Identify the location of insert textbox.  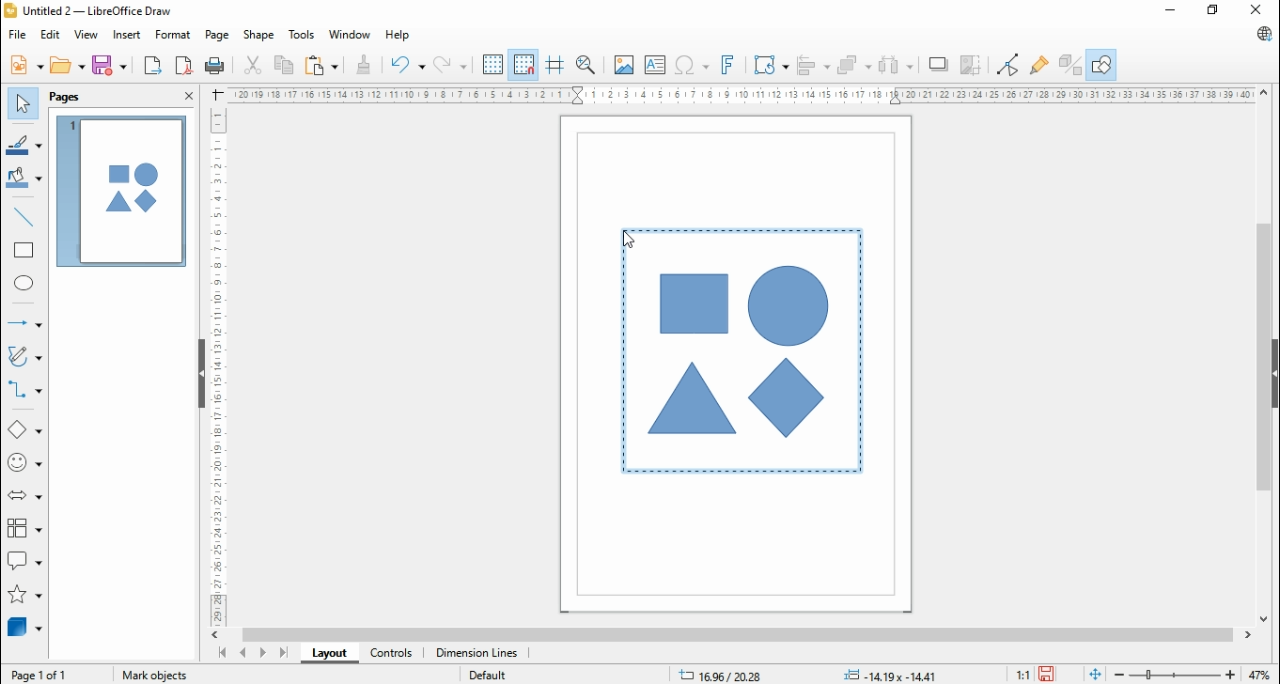
(655, 65).